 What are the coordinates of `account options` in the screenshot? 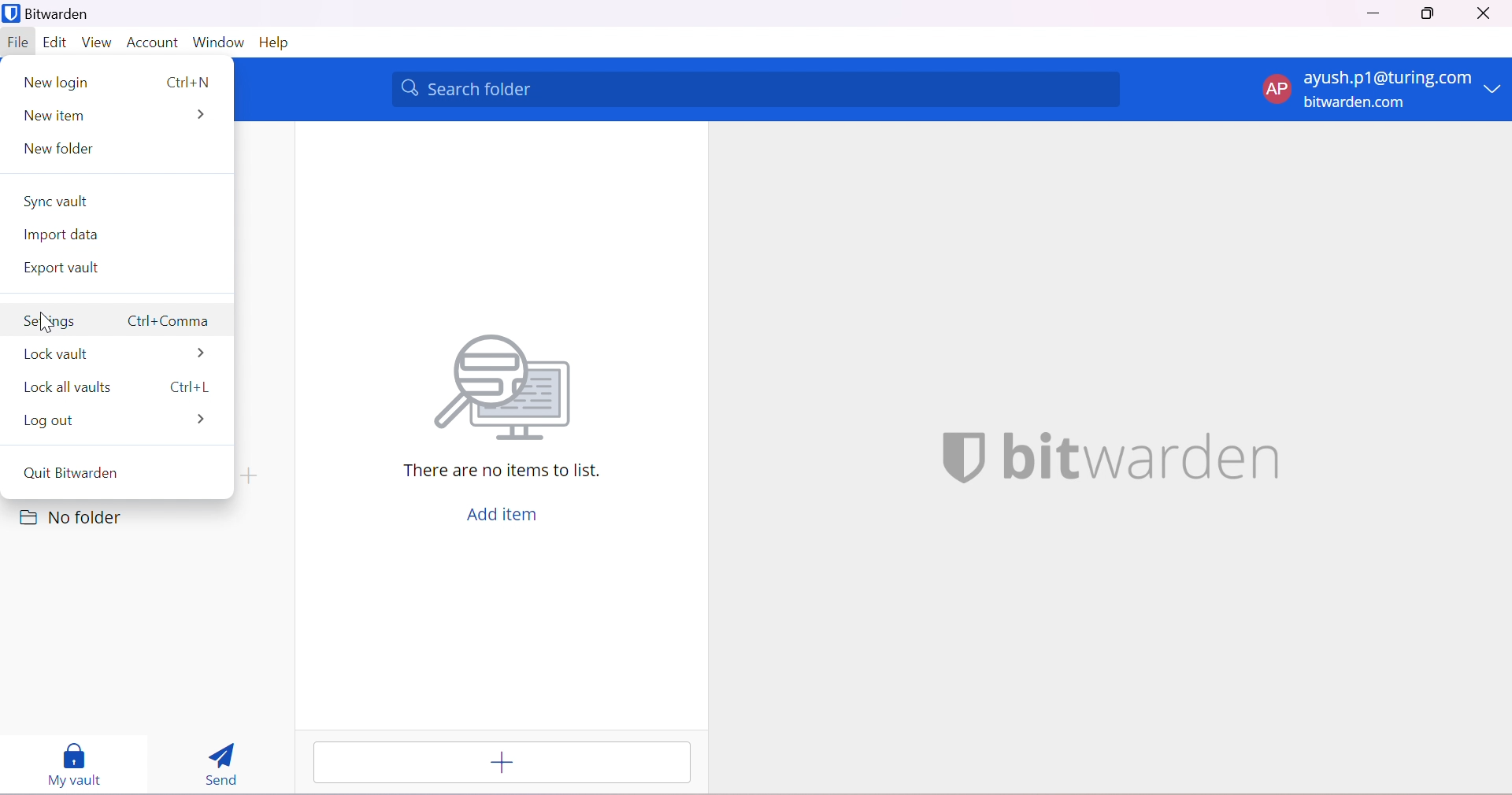 It's located at (1384, 91).